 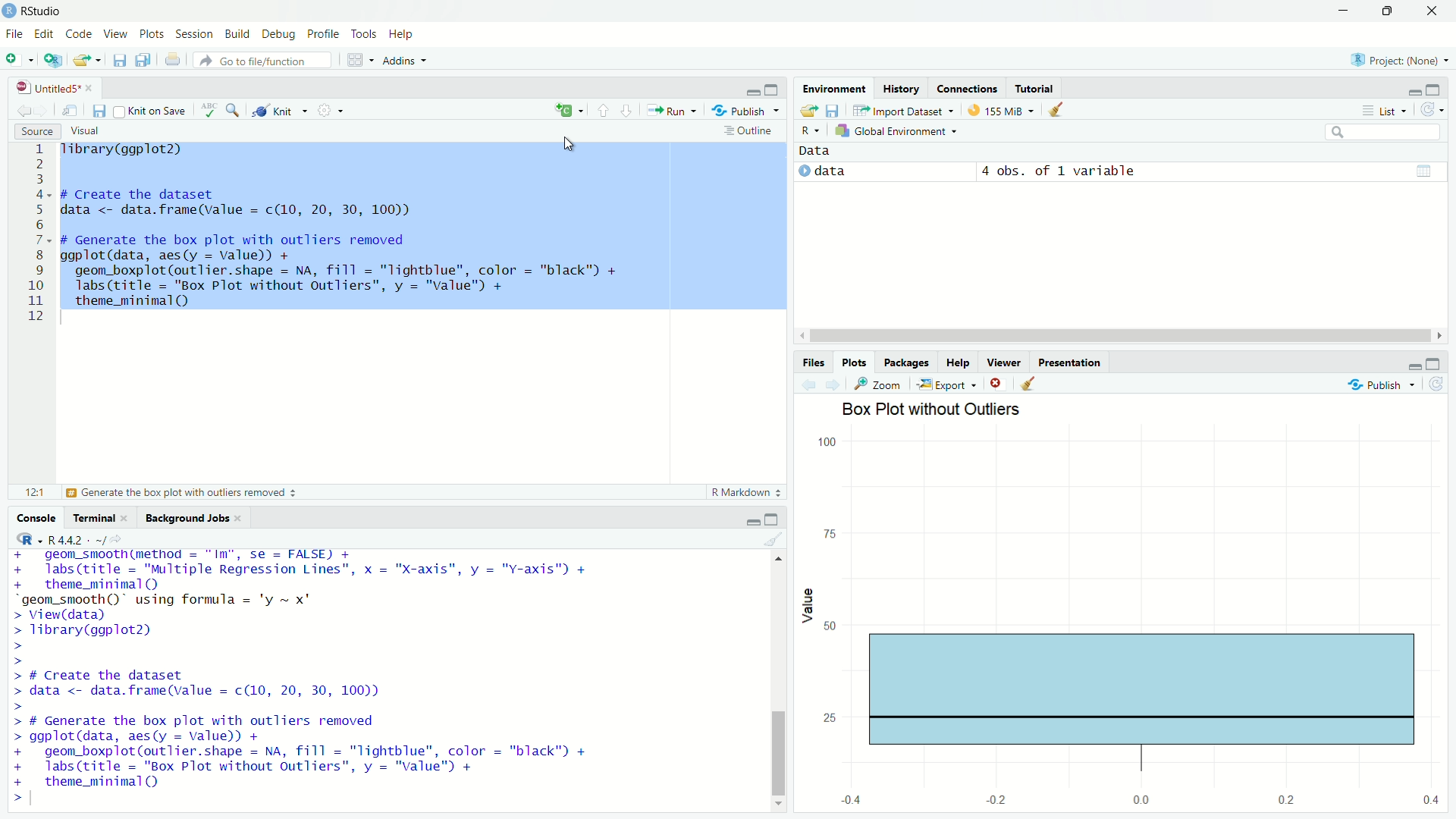 I want to click on Environment, so click(x=832, y=88).